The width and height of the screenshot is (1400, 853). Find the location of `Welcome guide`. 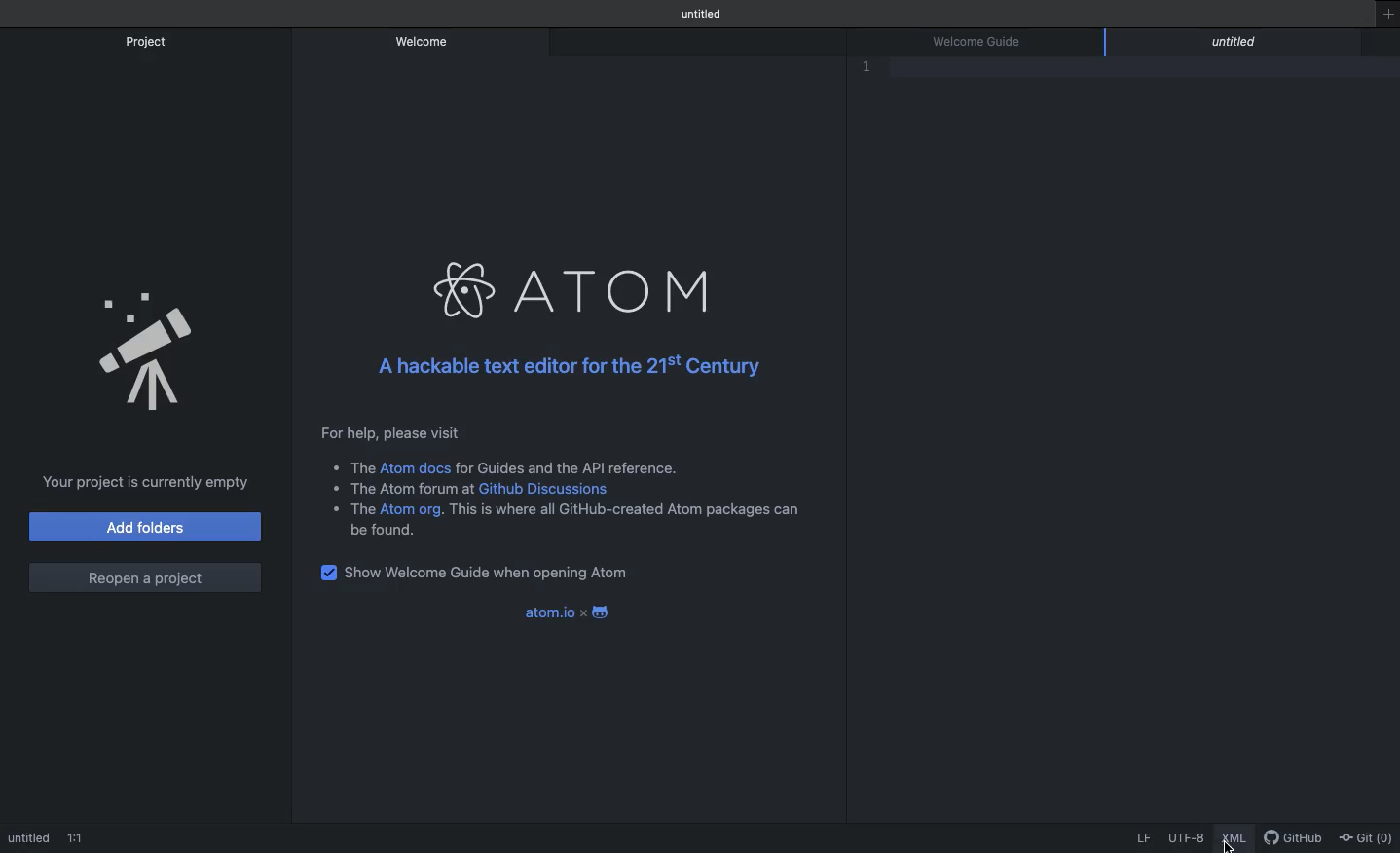

Welcome guide is located at coordinates (983, 41).